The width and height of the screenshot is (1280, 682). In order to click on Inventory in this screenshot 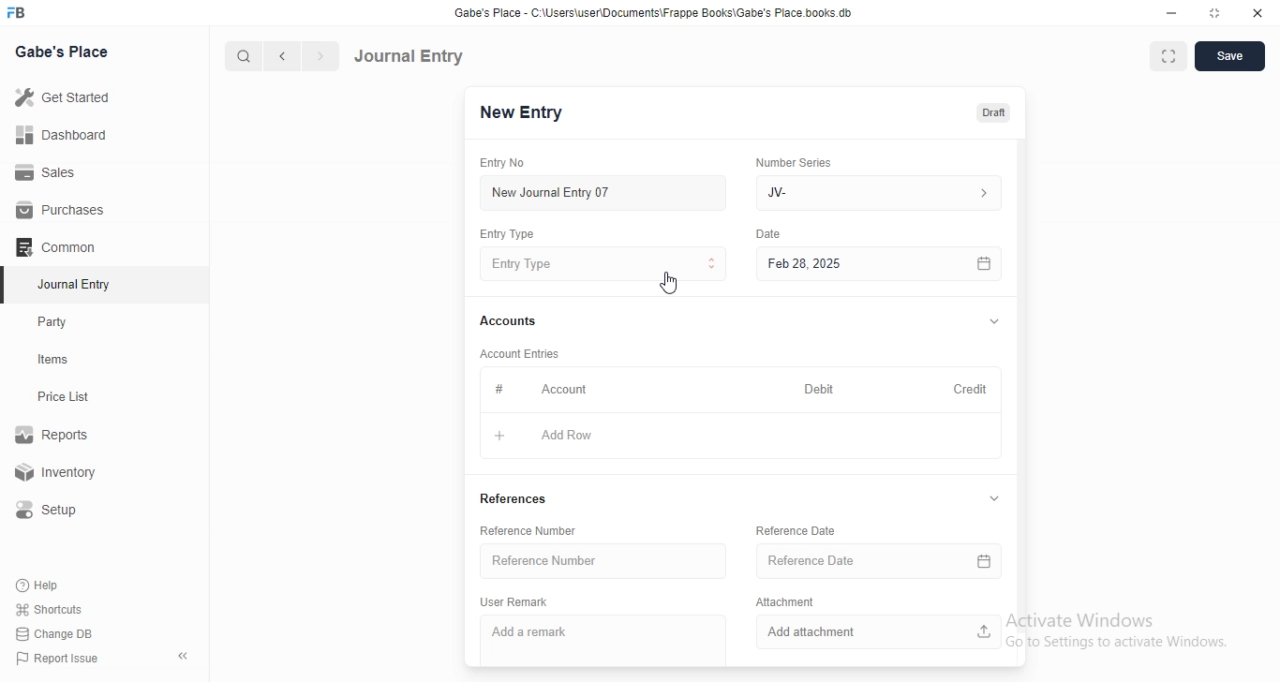, I will do `click(59, 474)`.